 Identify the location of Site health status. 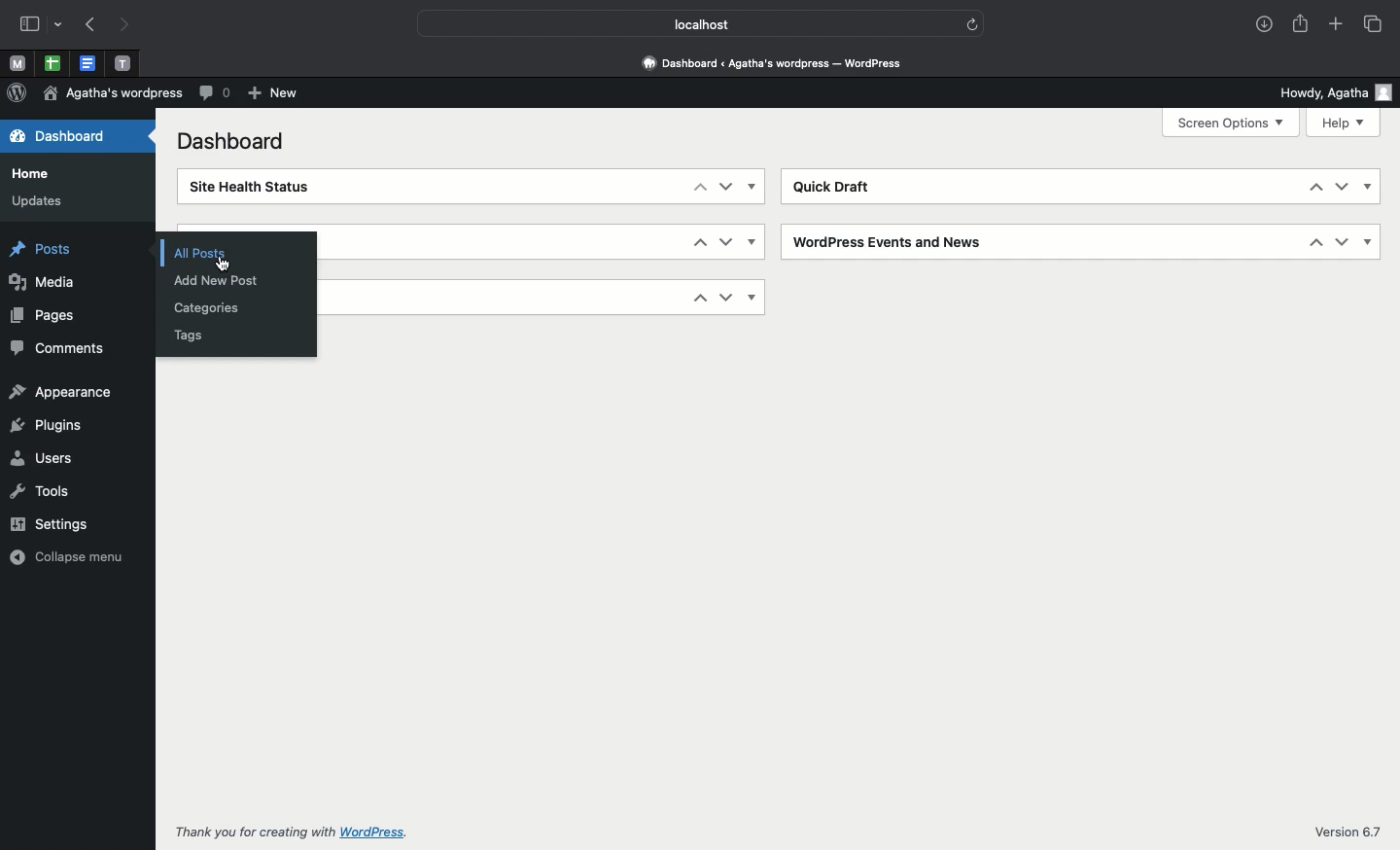
(272, 188).